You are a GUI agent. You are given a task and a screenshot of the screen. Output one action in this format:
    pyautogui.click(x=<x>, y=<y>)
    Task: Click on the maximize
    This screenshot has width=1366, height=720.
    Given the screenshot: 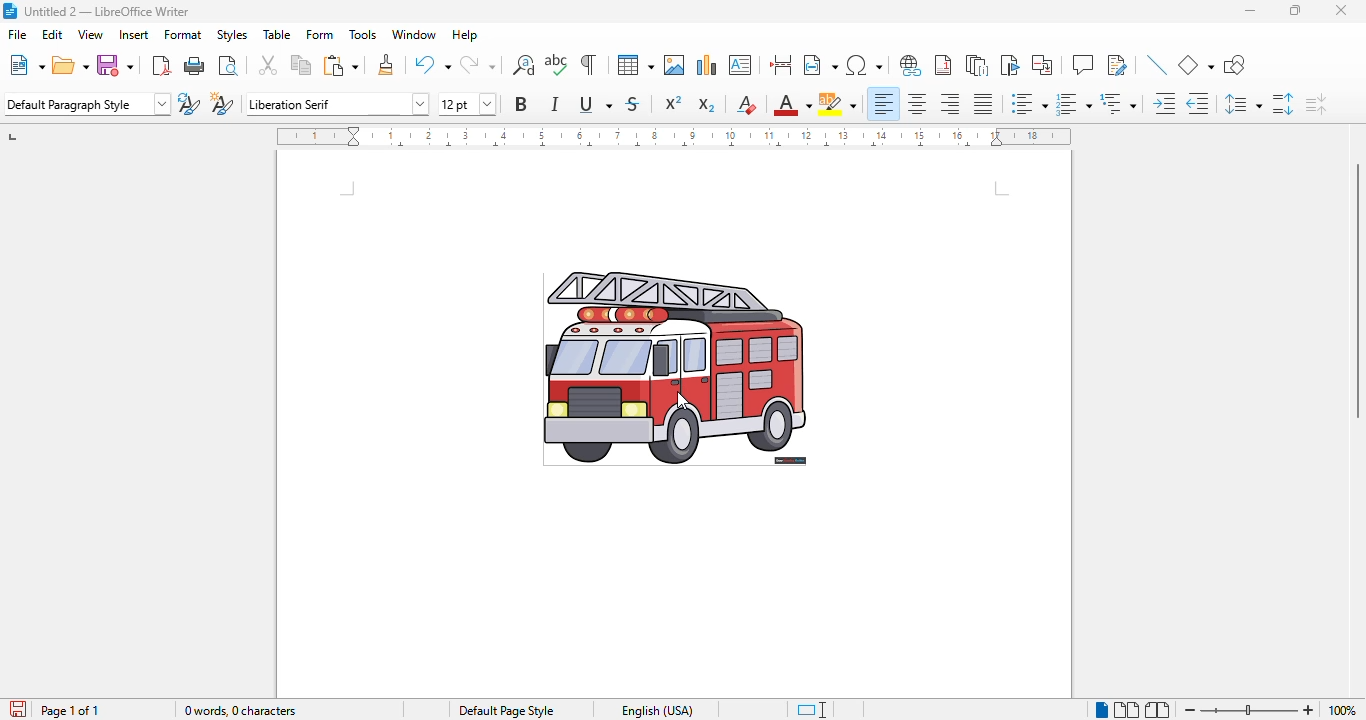 What is the action you would take?
    pyautogui.click(x=1298, y=11)
    